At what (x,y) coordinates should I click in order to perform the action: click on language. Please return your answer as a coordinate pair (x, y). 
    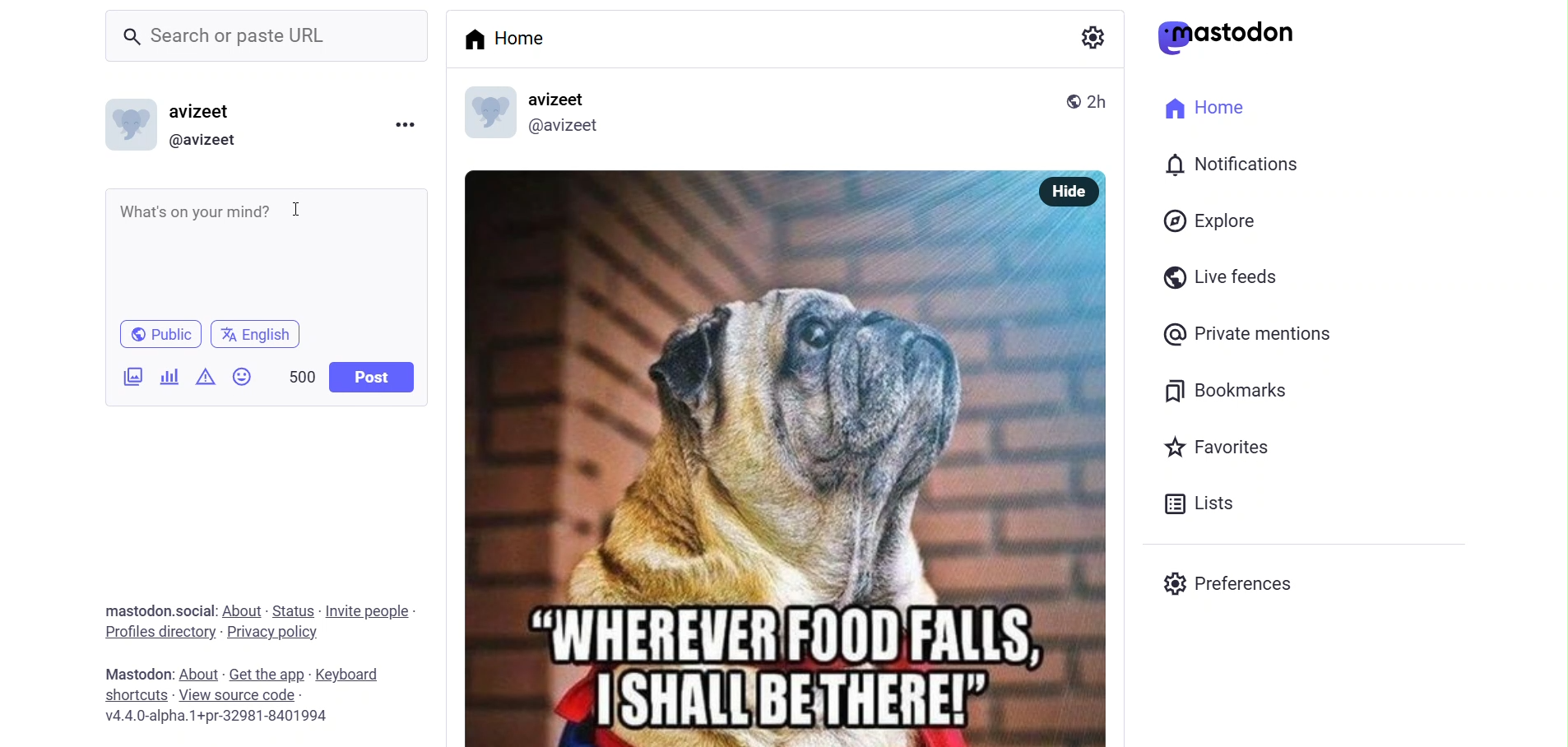
    Looking at the image, I should click on (257, 334).